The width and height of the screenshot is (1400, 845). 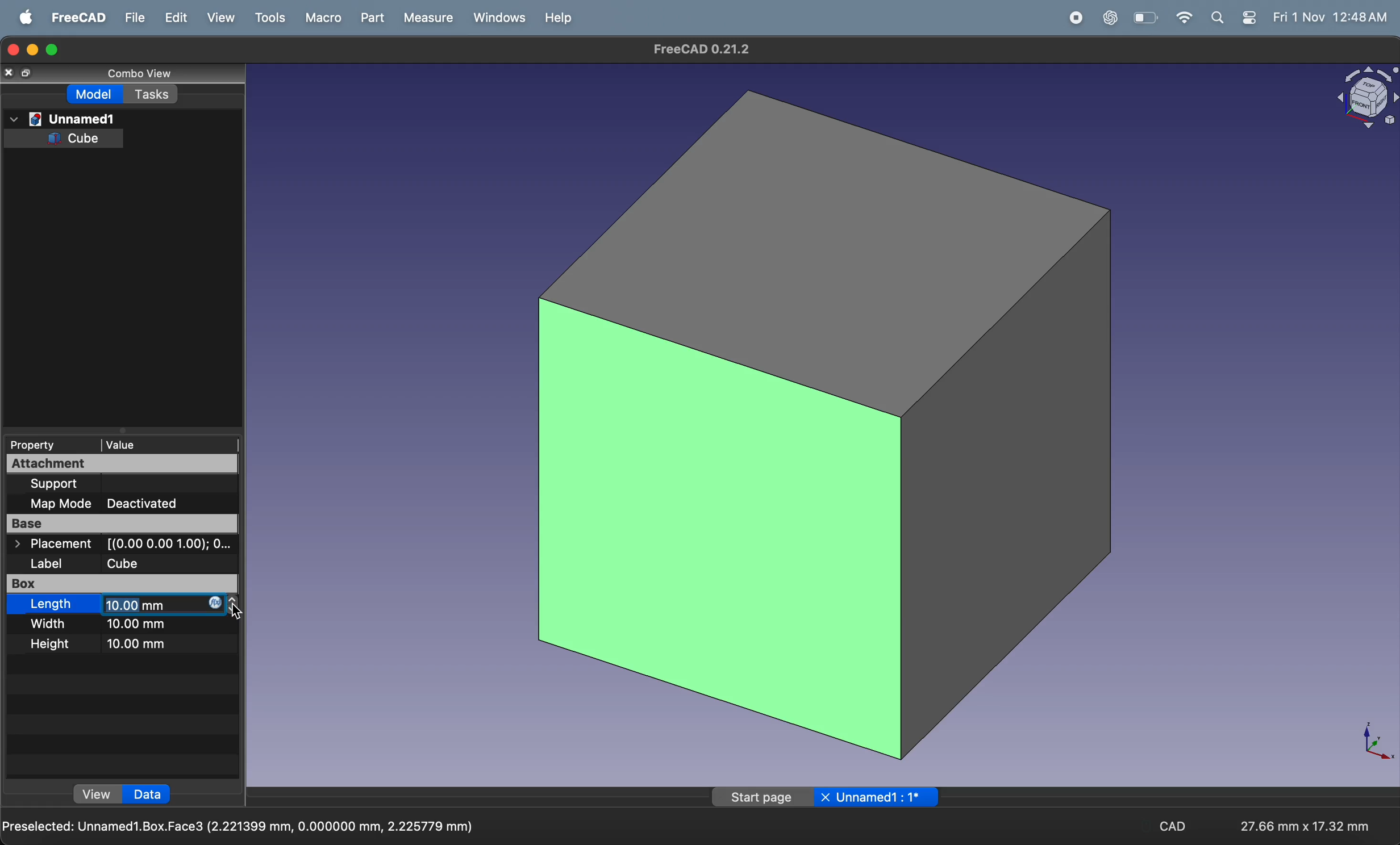 What do you see at coordinates (63, 504) in the screenshot?
I see `map mode` at bounding box center [63, 504].